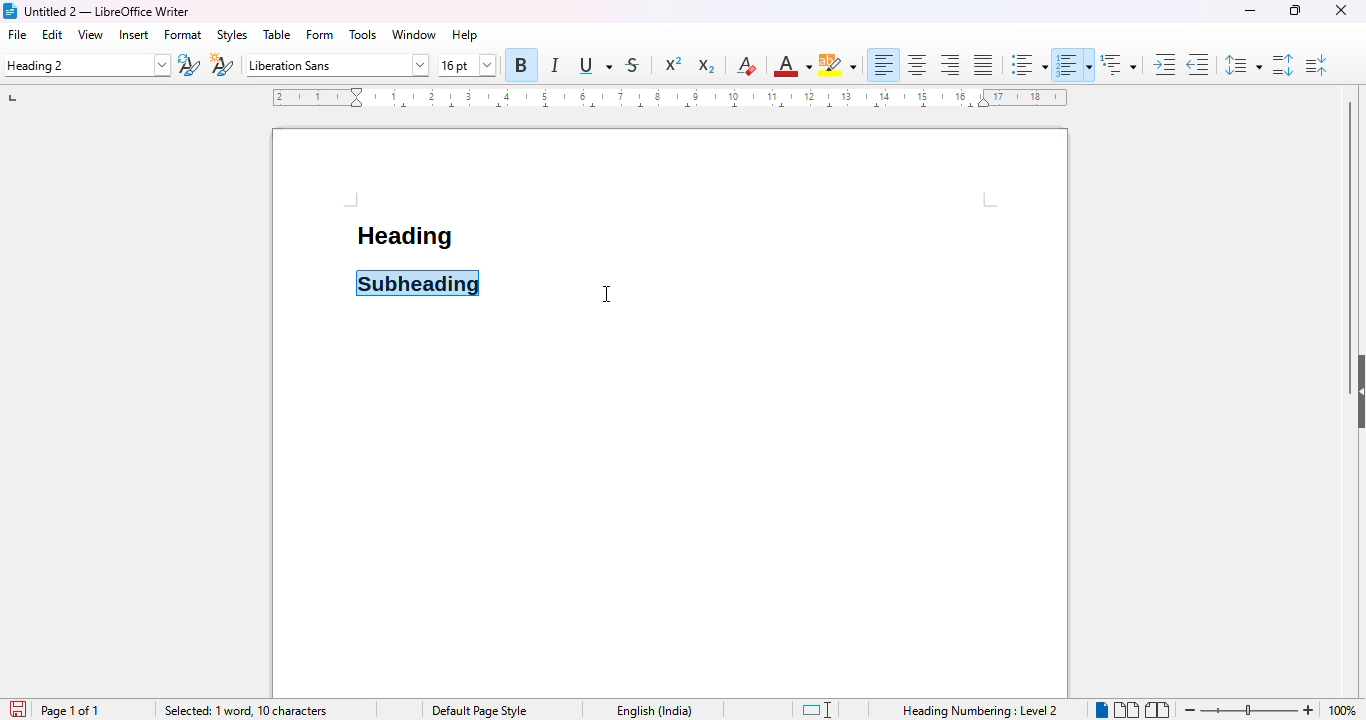 The width and height of the screenshot is (1366, 720). What do you see at coordinates (464, 35) in the screenshot?
I see `help` at bounding box center [464, 35].